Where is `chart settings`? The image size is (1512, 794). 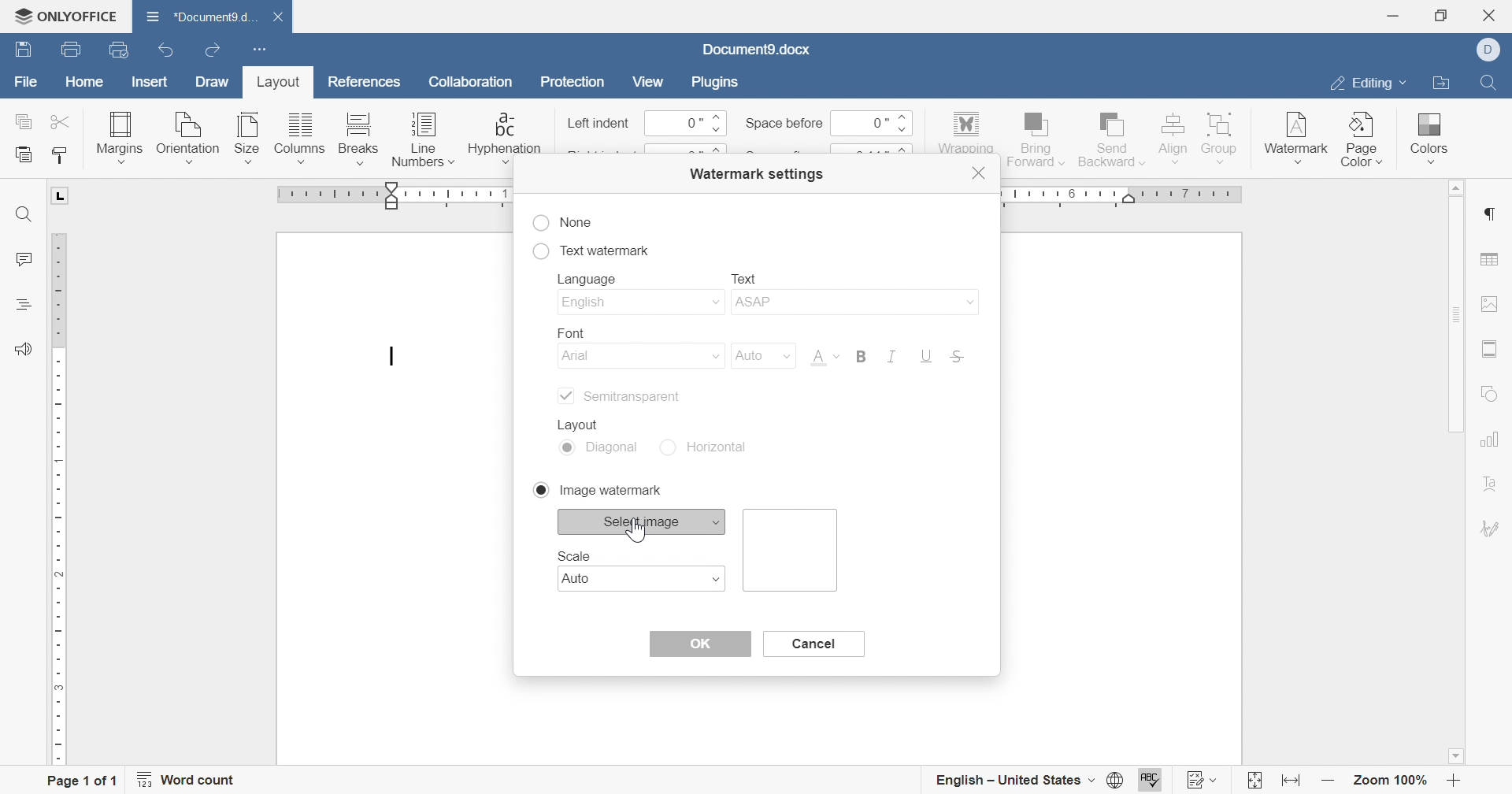 chart settings is located at coordinates (1489, 439).